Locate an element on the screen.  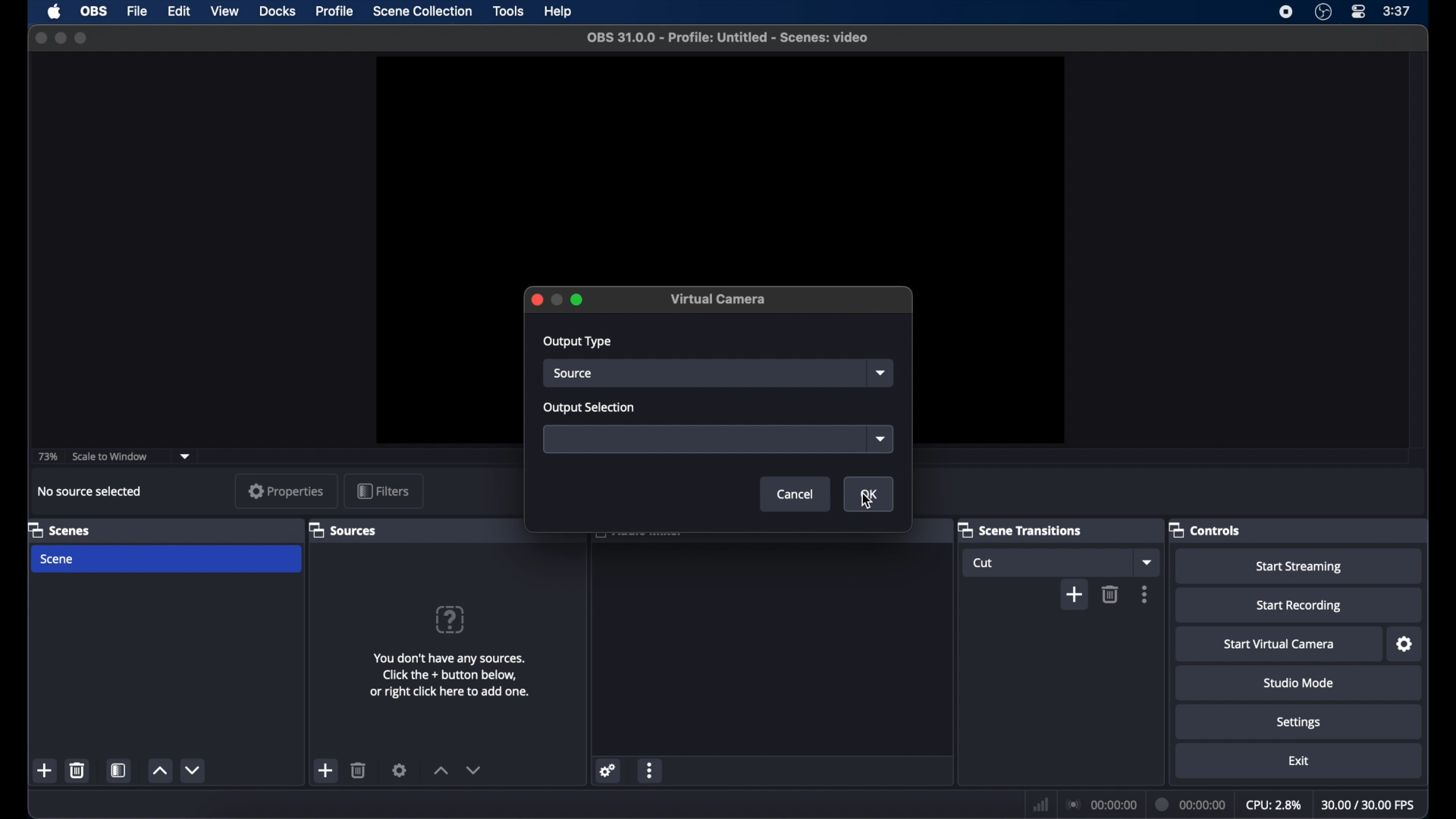
more options is located at coordinates (1145, 595).